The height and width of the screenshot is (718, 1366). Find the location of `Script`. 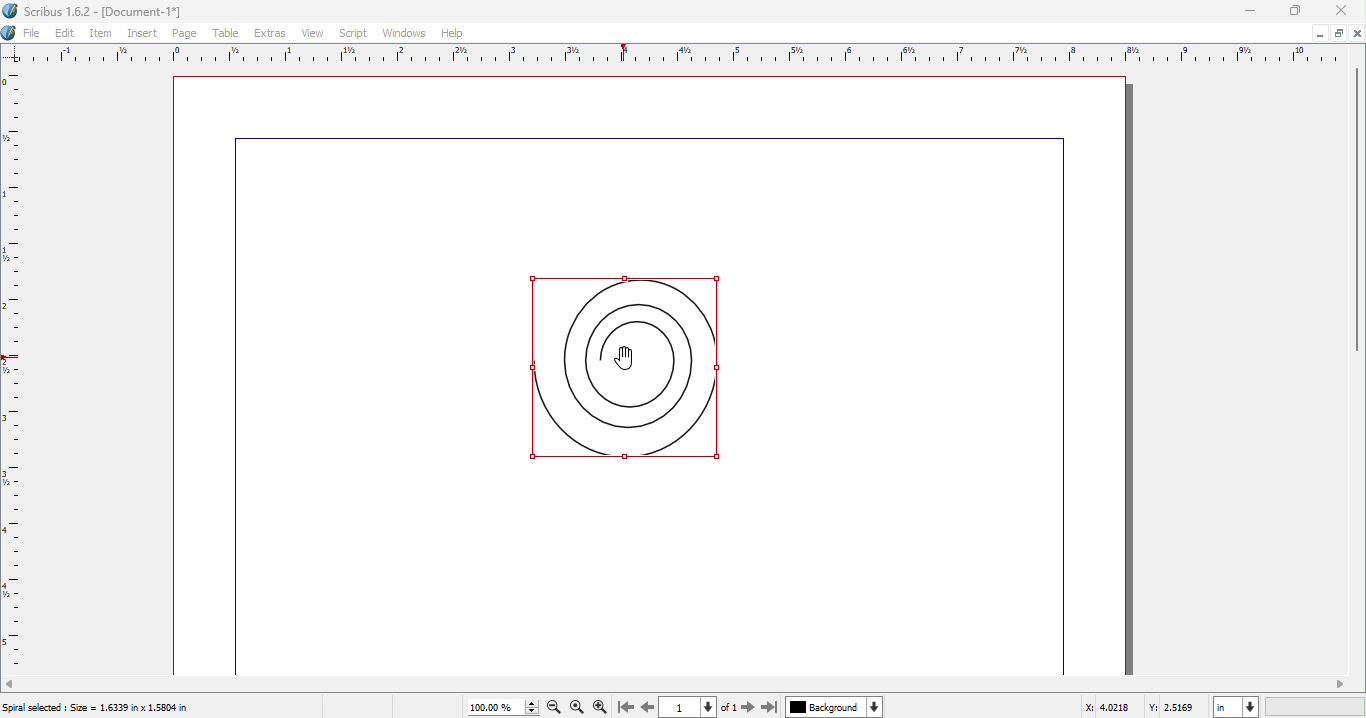

Script is located at coordinates (351, 34).